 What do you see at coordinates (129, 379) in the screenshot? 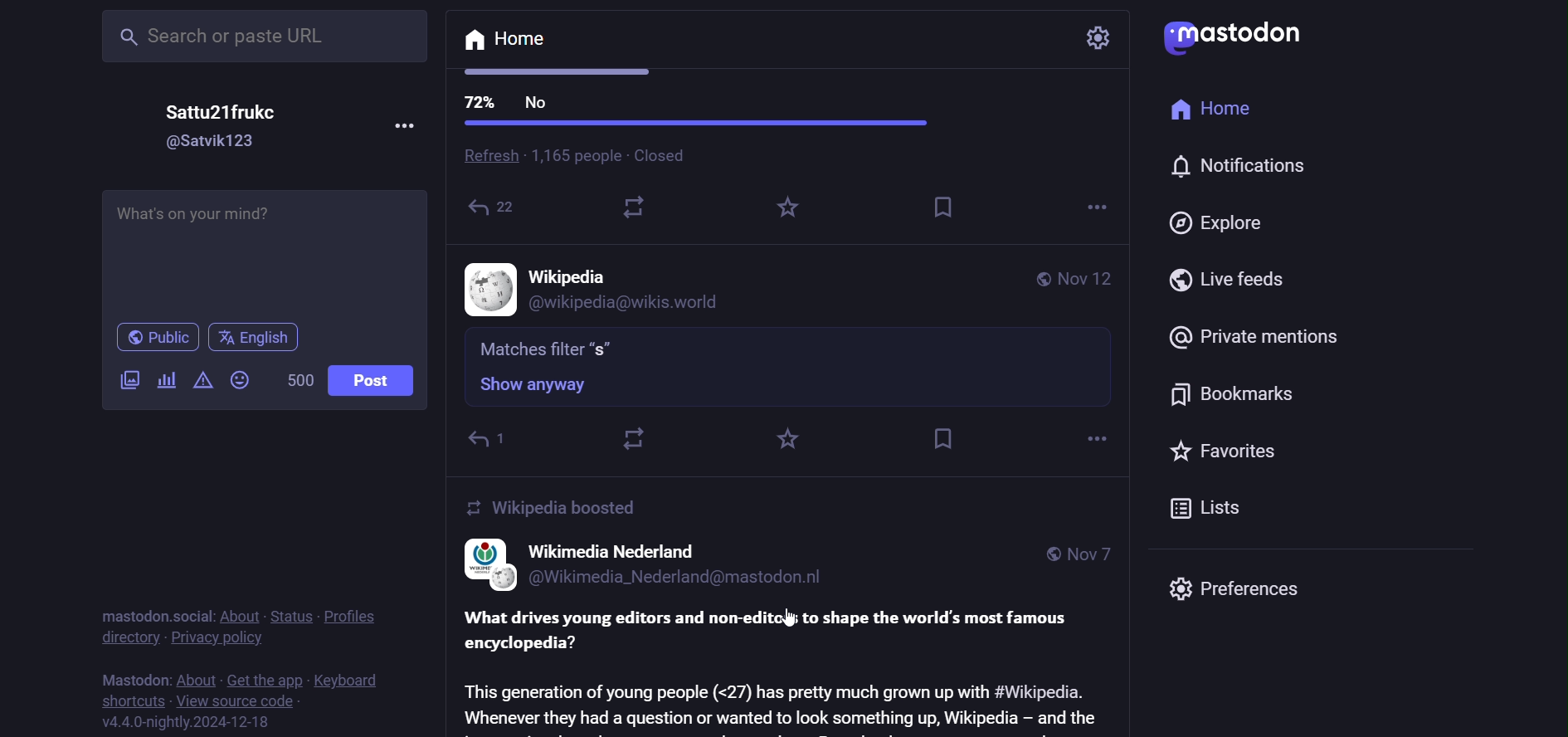
I see `image/video` at bounding box center [129, 379].